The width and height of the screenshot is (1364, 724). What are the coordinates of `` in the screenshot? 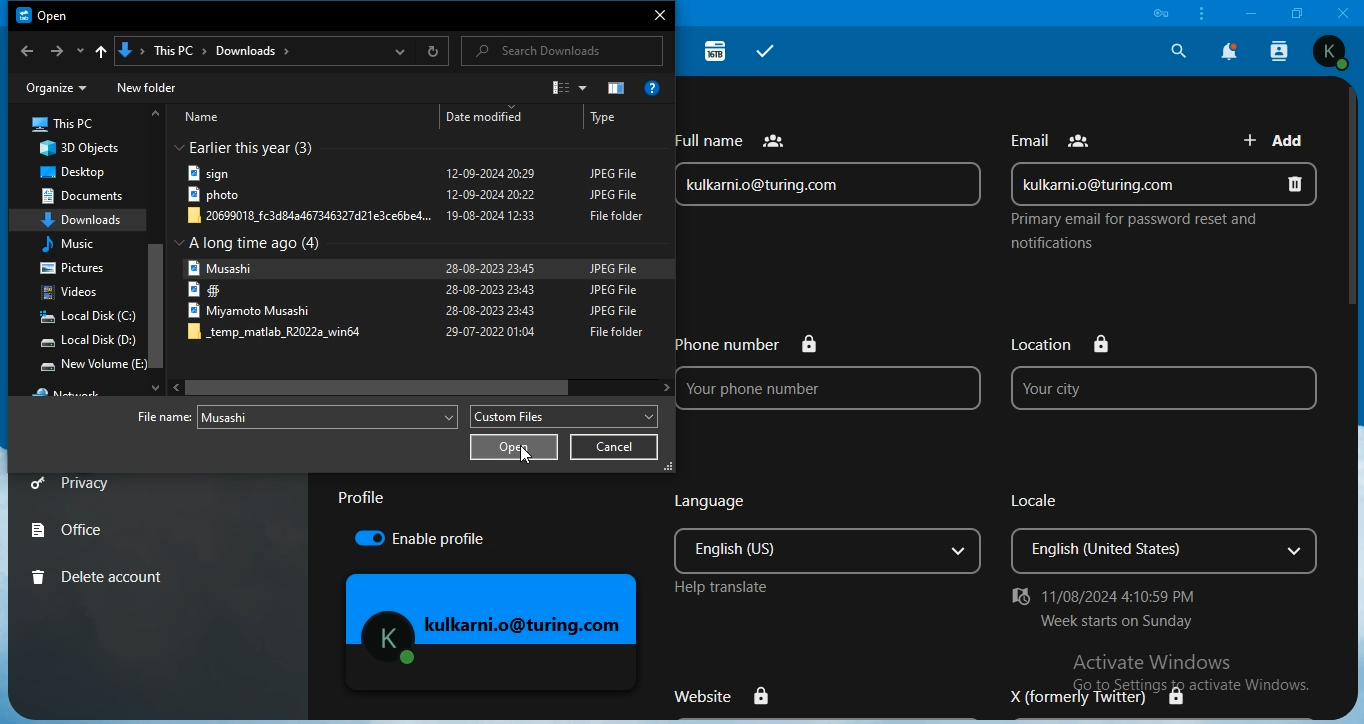 It's located at (100, 51).